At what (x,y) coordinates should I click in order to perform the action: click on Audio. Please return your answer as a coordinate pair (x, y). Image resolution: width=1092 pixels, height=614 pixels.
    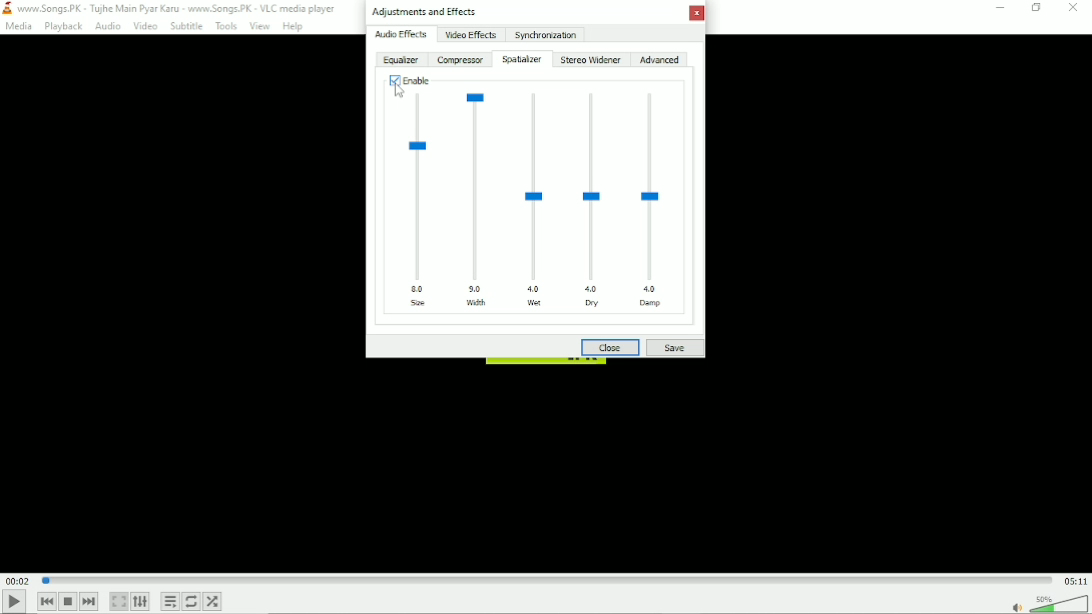
    Looking at the image, I should click on (107, 26).